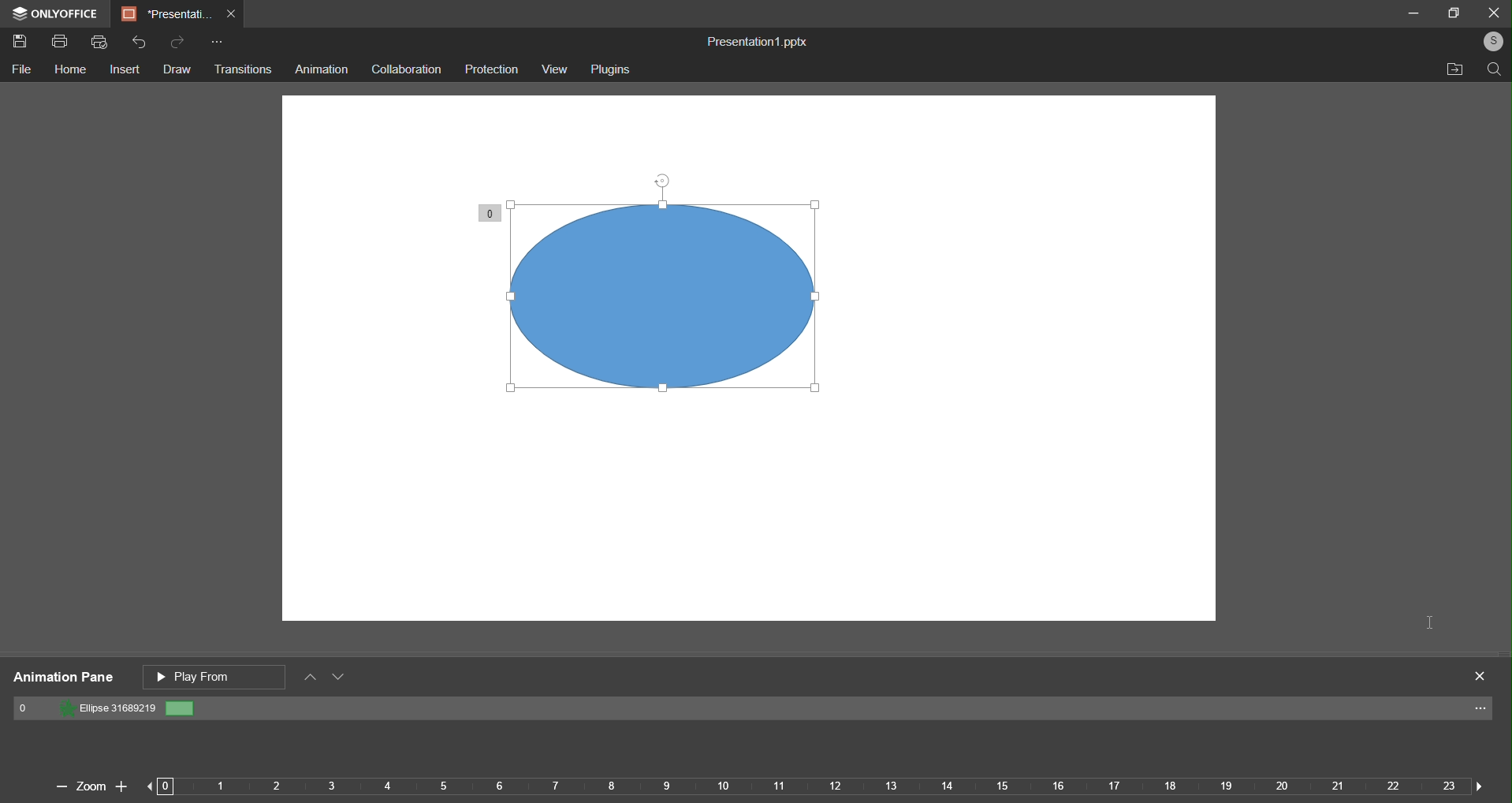  I want to click on minimize, so click(1413, 12).